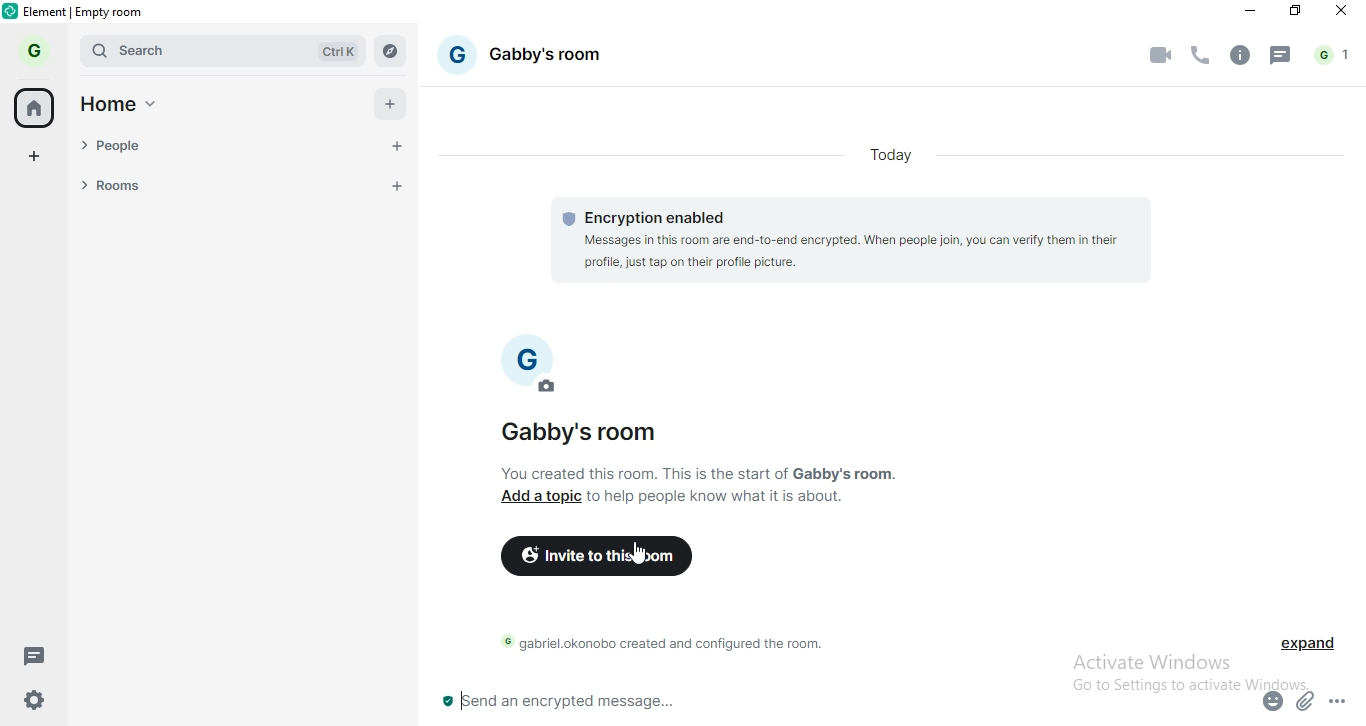 The image size is (1366, 726). What do you see at coordinates (860, 239) in the screenshot?
I see `encryption needed` at bounding box center [860, 239].